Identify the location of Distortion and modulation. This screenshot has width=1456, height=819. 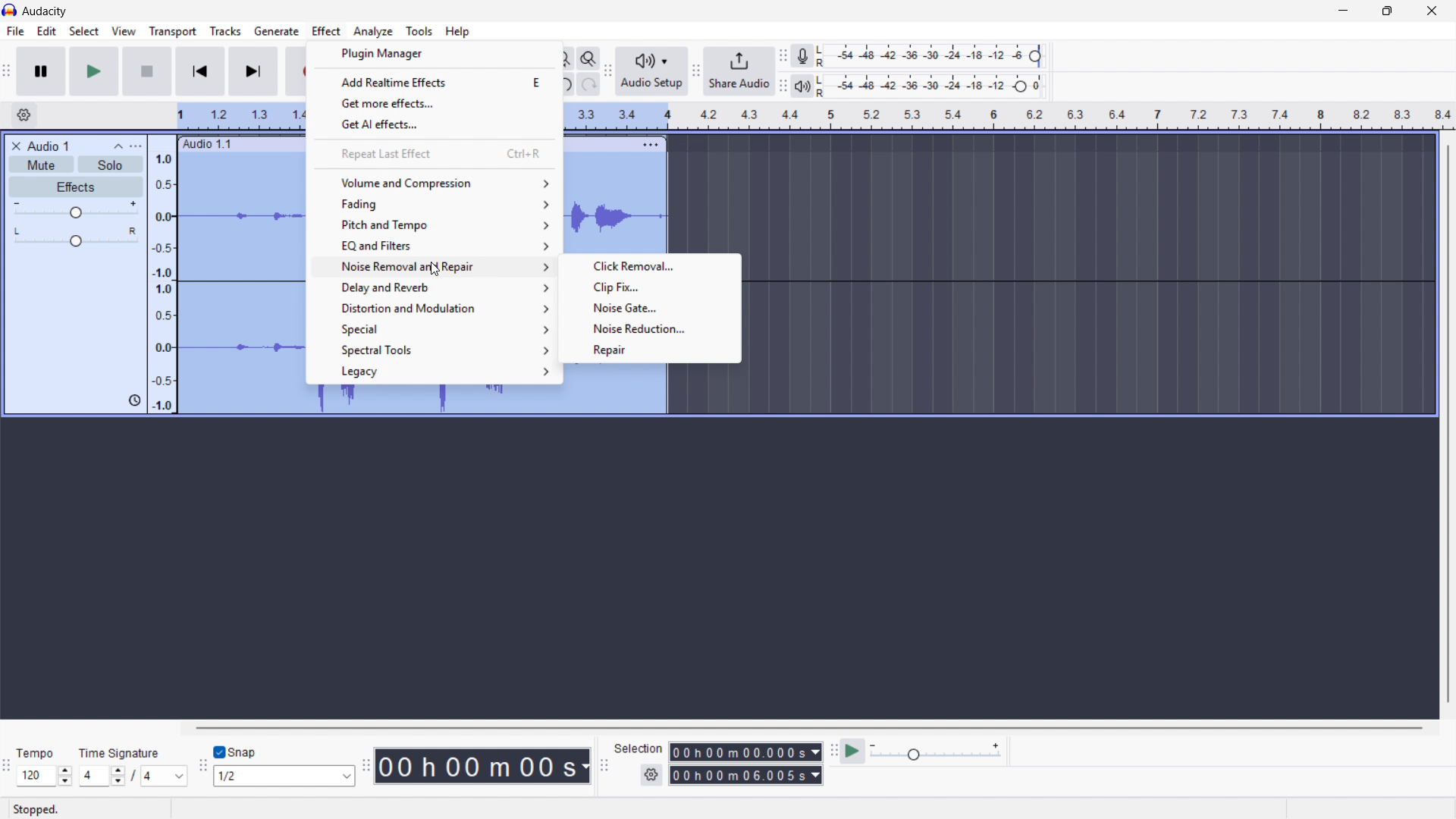
(433, 309).